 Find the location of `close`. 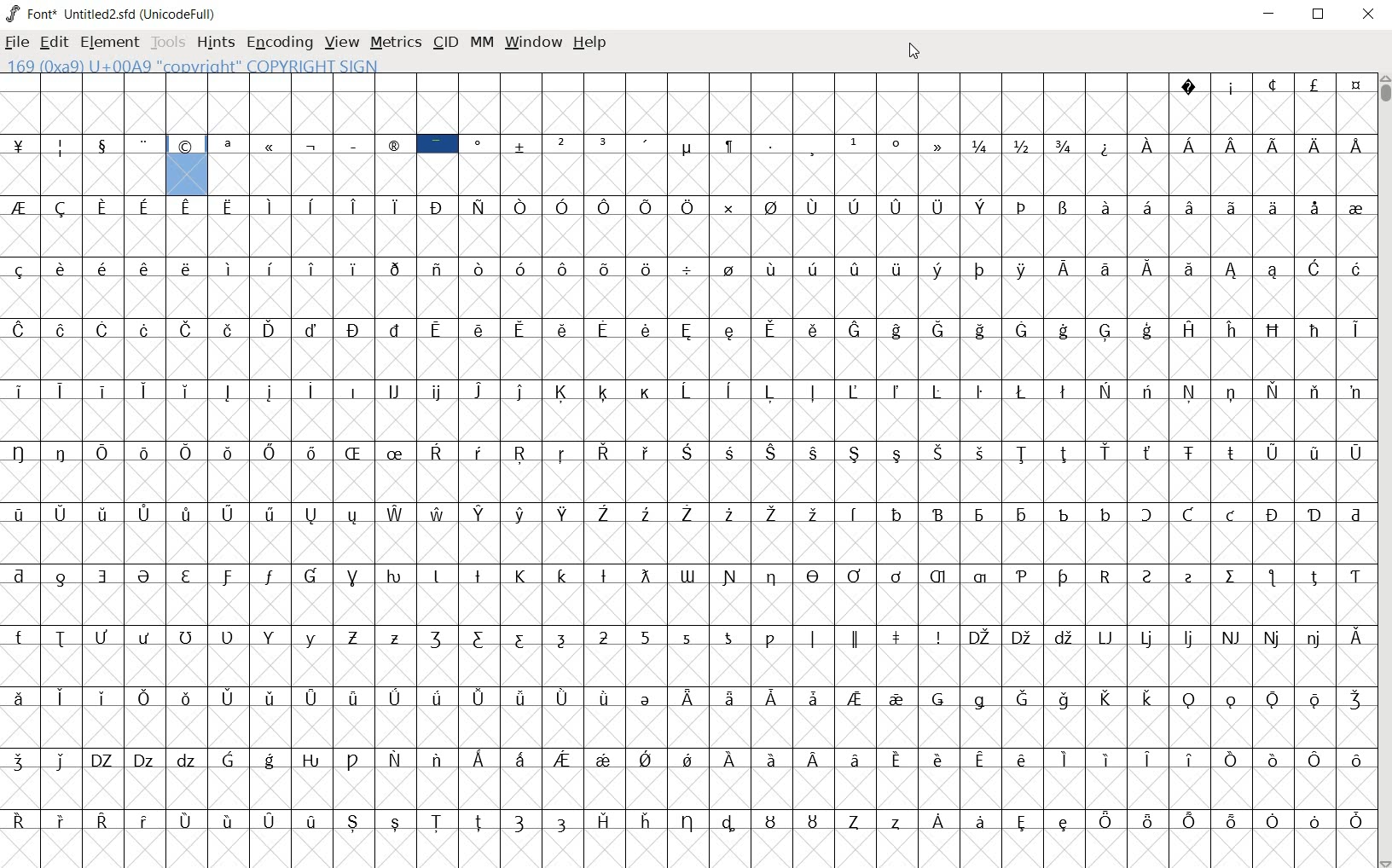

close is located at coordinates (912, 52).